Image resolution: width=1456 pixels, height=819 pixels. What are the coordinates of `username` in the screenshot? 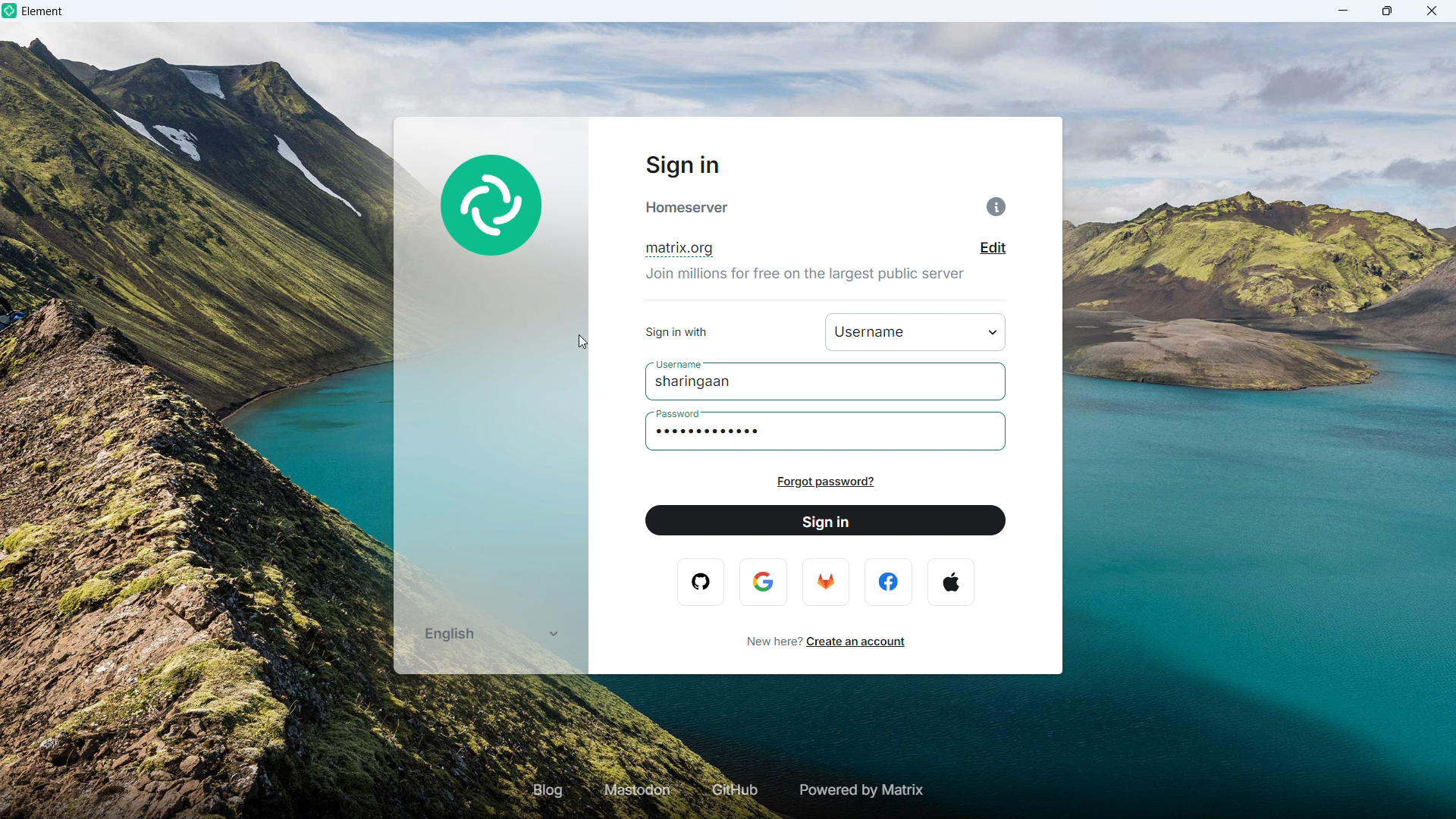 It's located at (916, 331).